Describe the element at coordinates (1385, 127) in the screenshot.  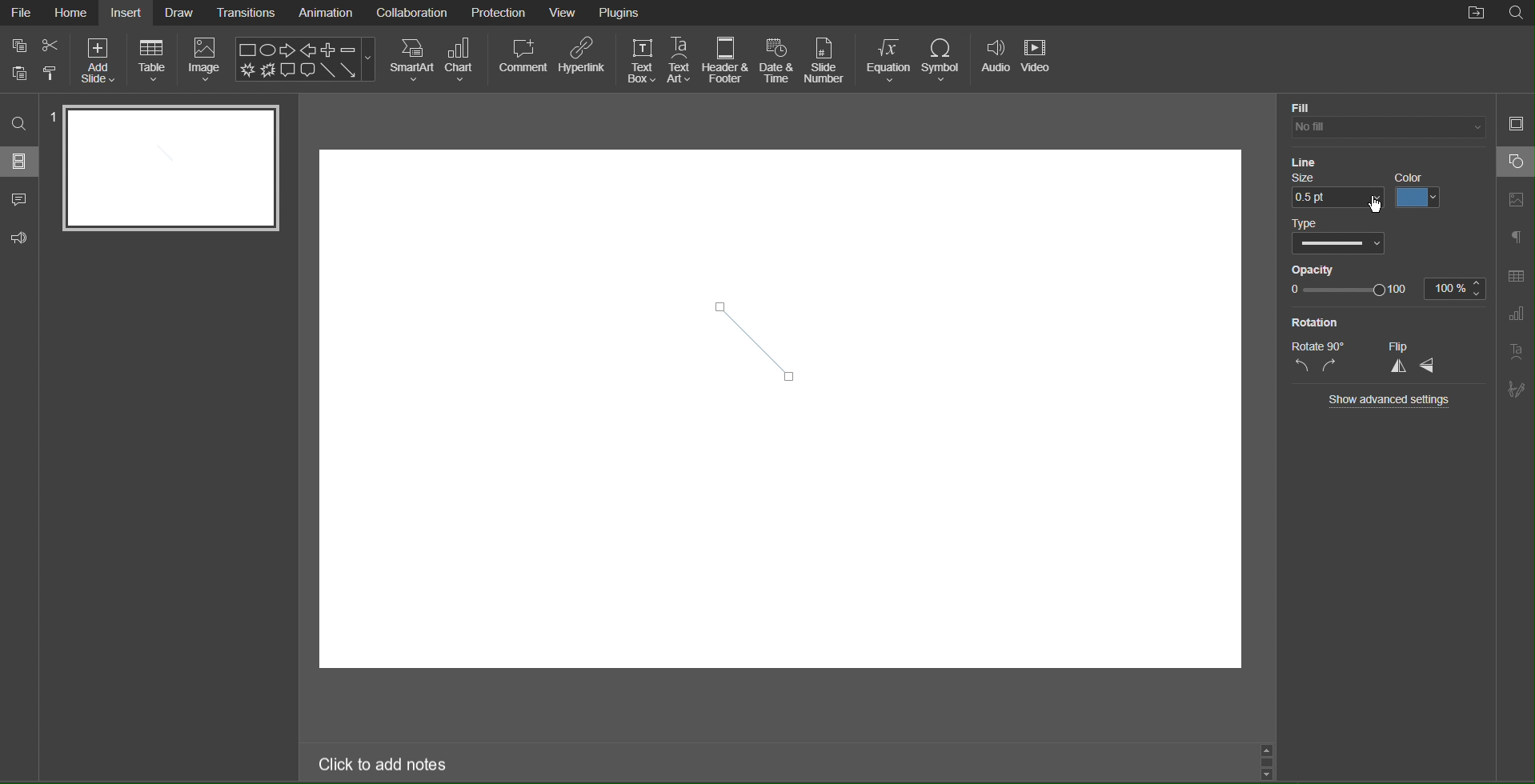
I see `No fill` at that location.